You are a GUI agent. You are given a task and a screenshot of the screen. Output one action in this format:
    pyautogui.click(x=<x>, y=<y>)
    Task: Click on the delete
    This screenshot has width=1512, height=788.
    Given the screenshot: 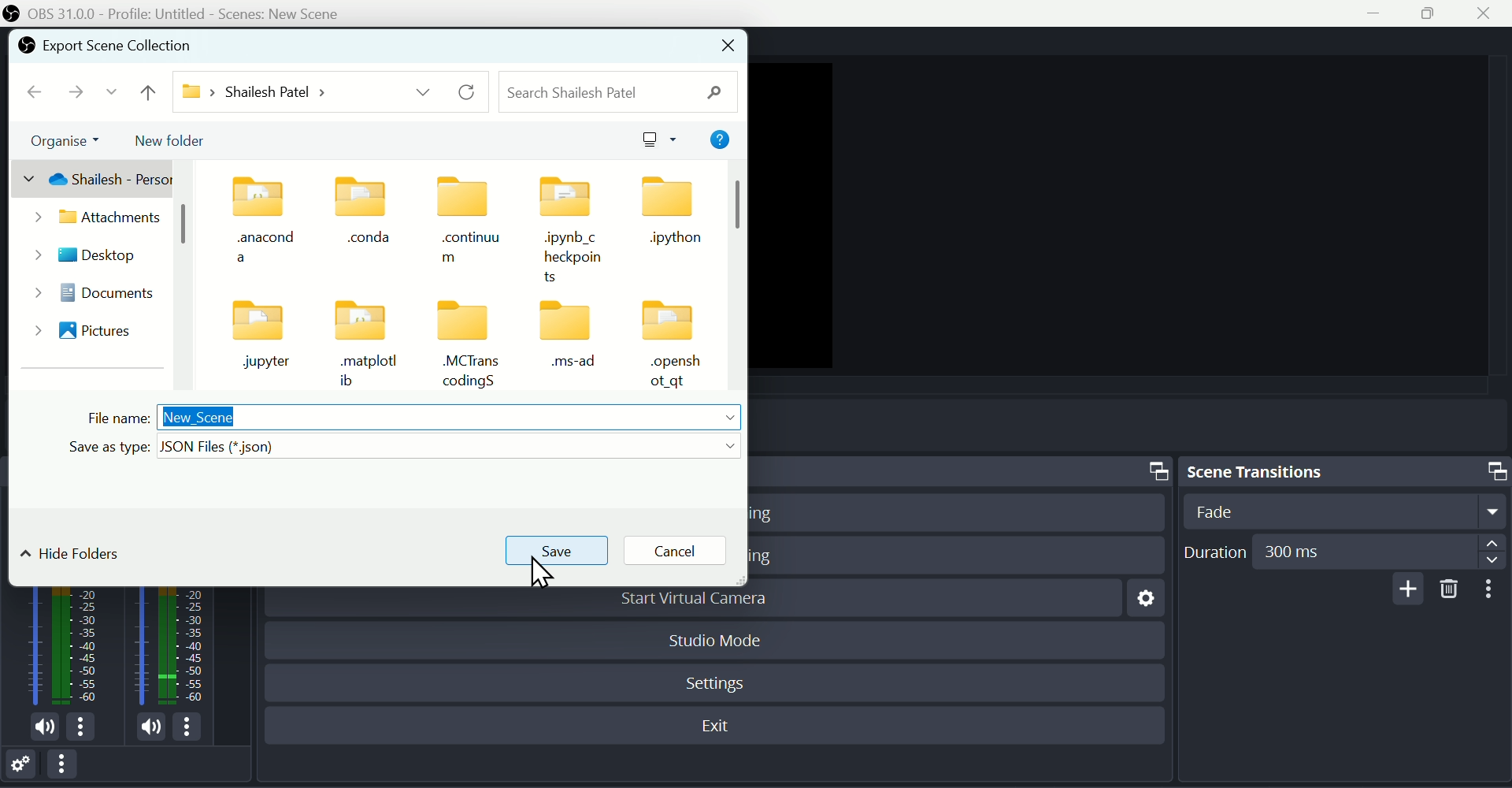 What is the action you would take?
    pyautogui.click(x=1450, y=589)
    